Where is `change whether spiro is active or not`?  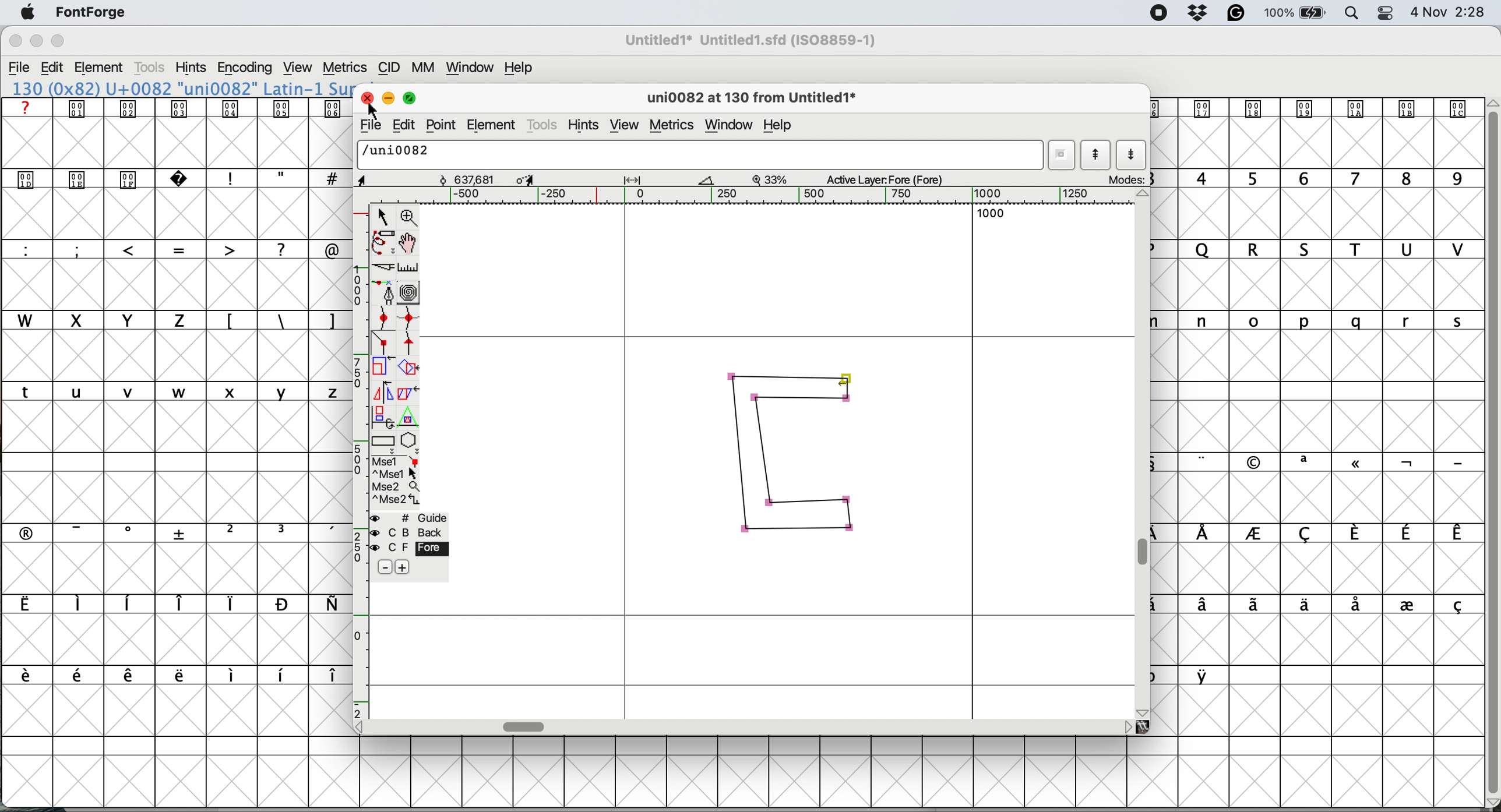
change whether spiro is active or not is located at coordinates (410, 292).